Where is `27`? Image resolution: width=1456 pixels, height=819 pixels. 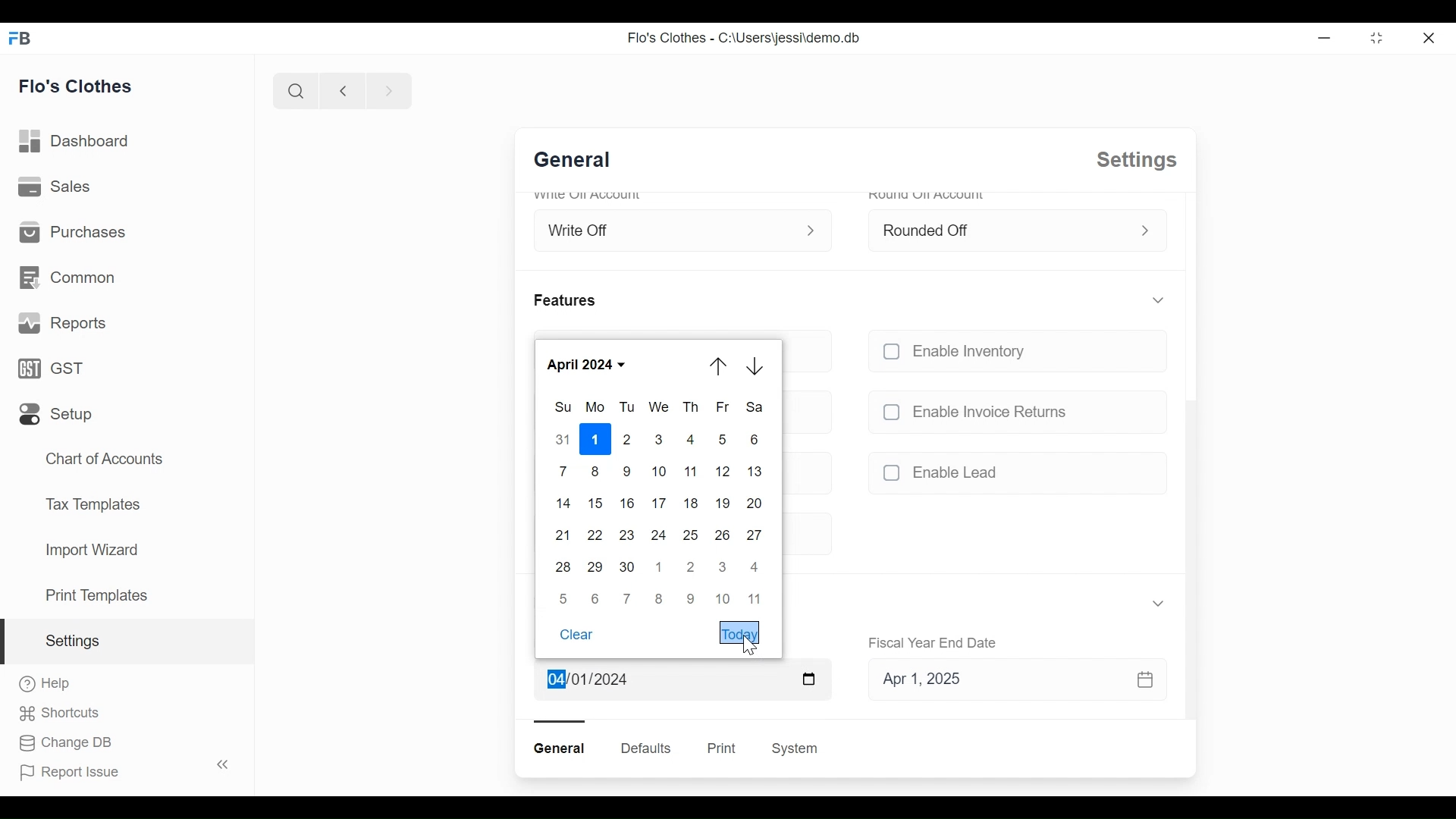 27 is located at coordinates (754, 534).